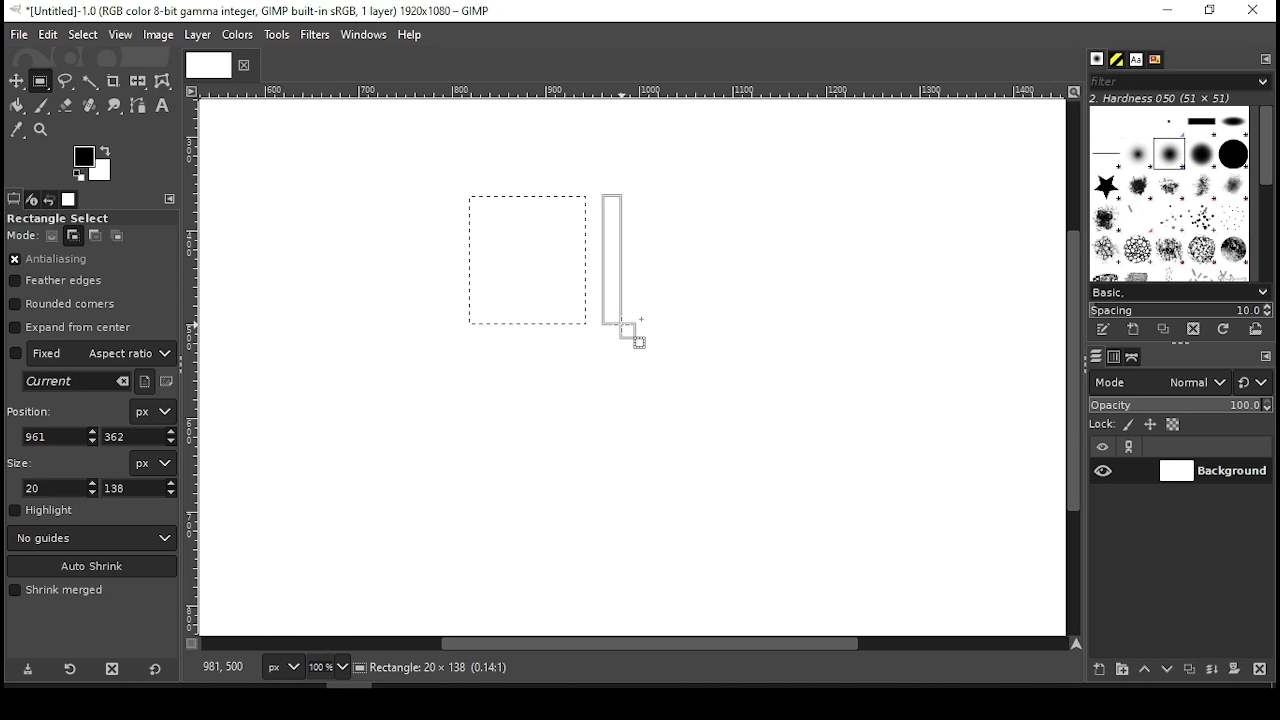 Image resolution: width=1280 pixels, height=720 pixels. What do you see at coordinates (1117, 60) in the screenshot?
I see `pattern` at bounding box center [1117, 60].